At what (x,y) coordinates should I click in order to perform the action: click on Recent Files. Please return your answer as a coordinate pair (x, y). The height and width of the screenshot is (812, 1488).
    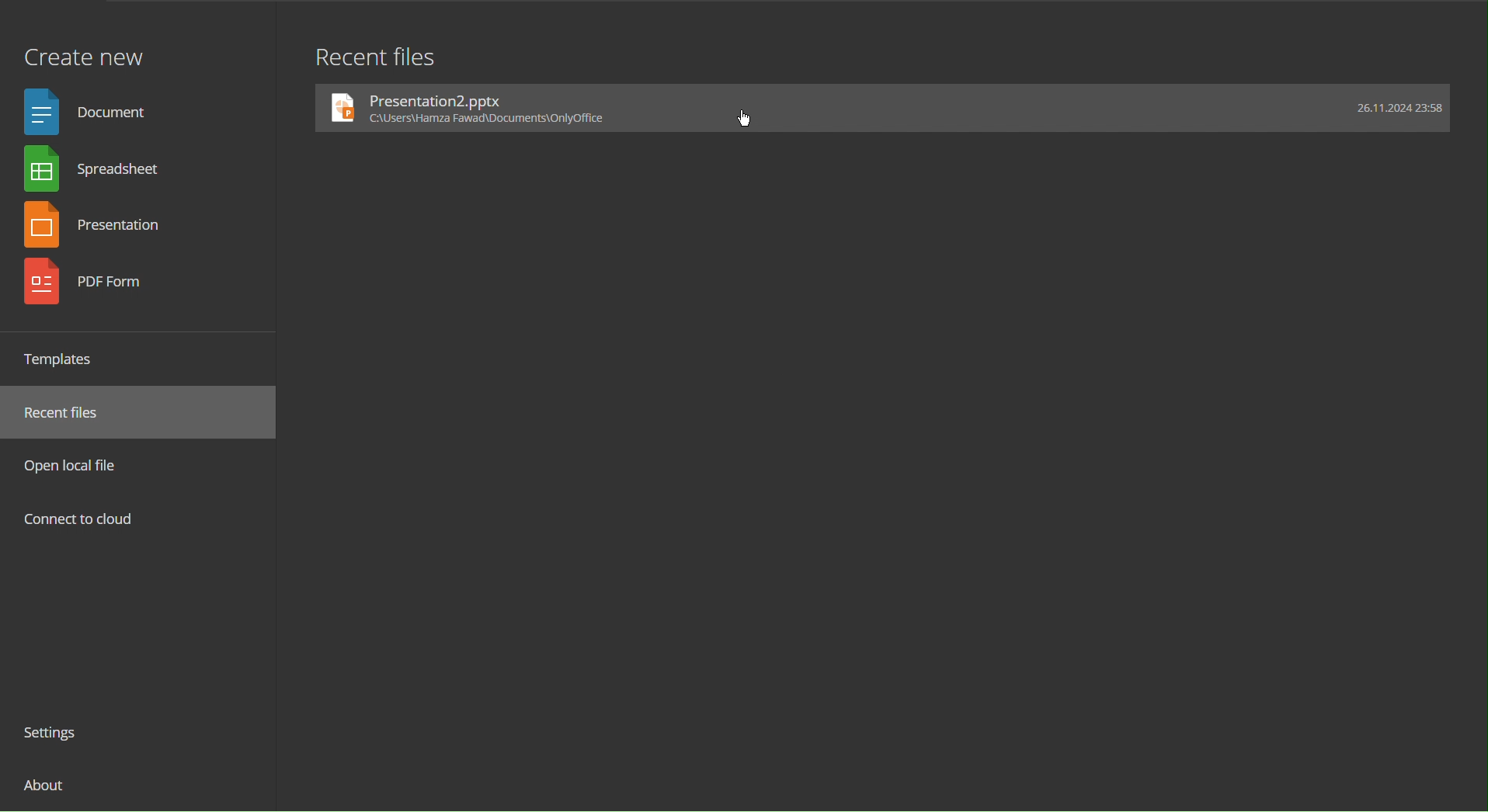
    Looking at the image, I should click on (71, 413).